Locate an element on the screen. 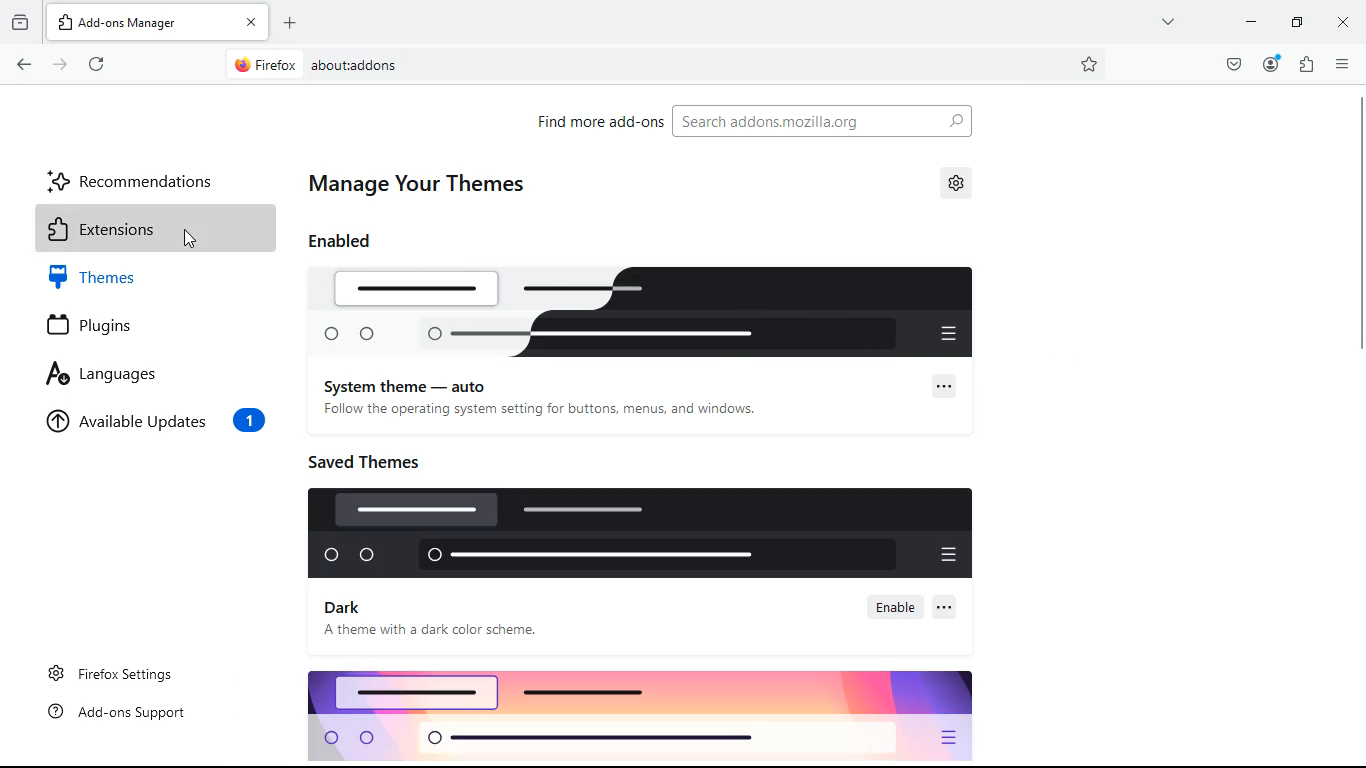 This screenshot has width=1366, height=768. dark is located at coordinates (634, 534).